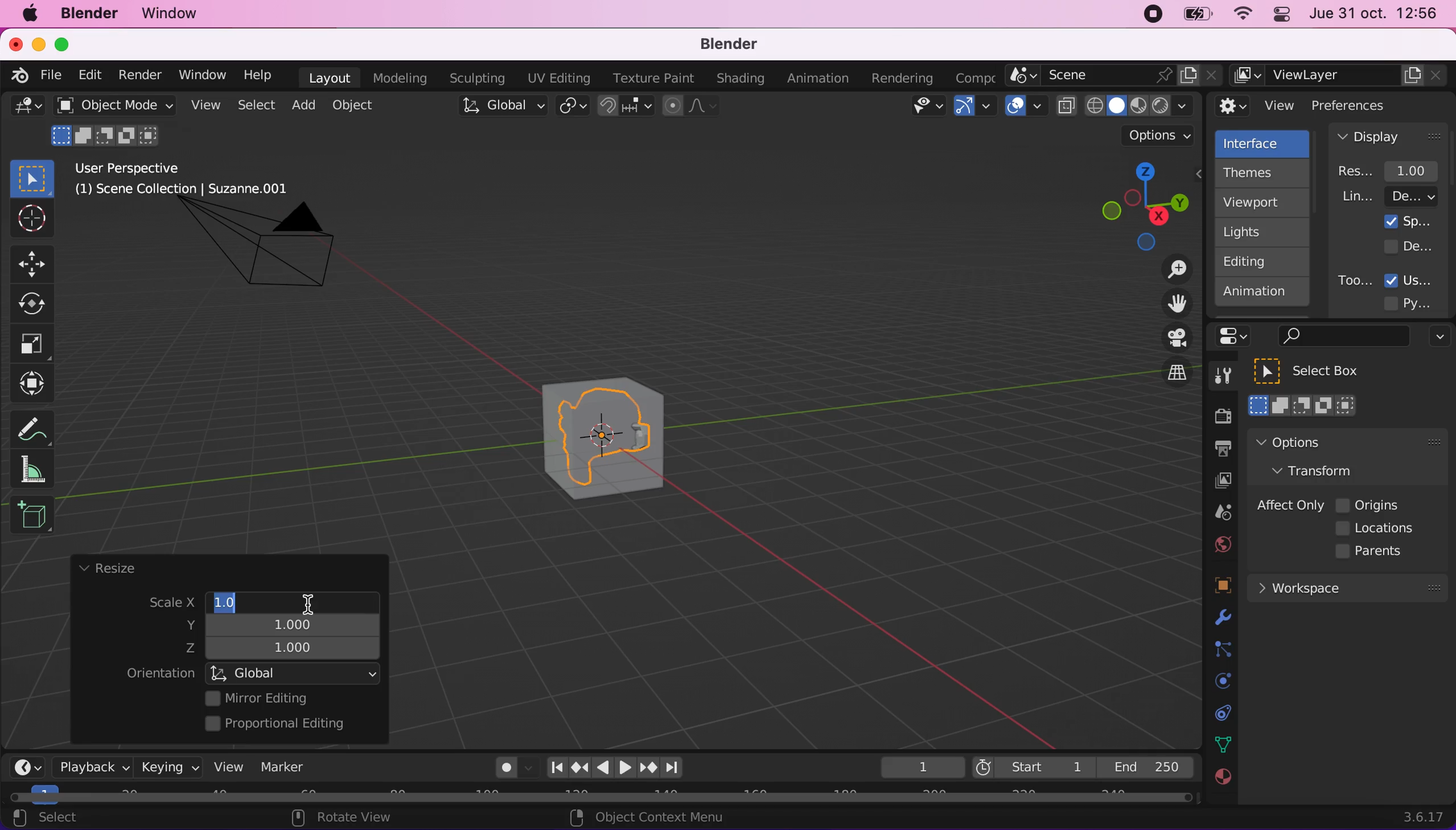  I want to click on , so click(32, 344).